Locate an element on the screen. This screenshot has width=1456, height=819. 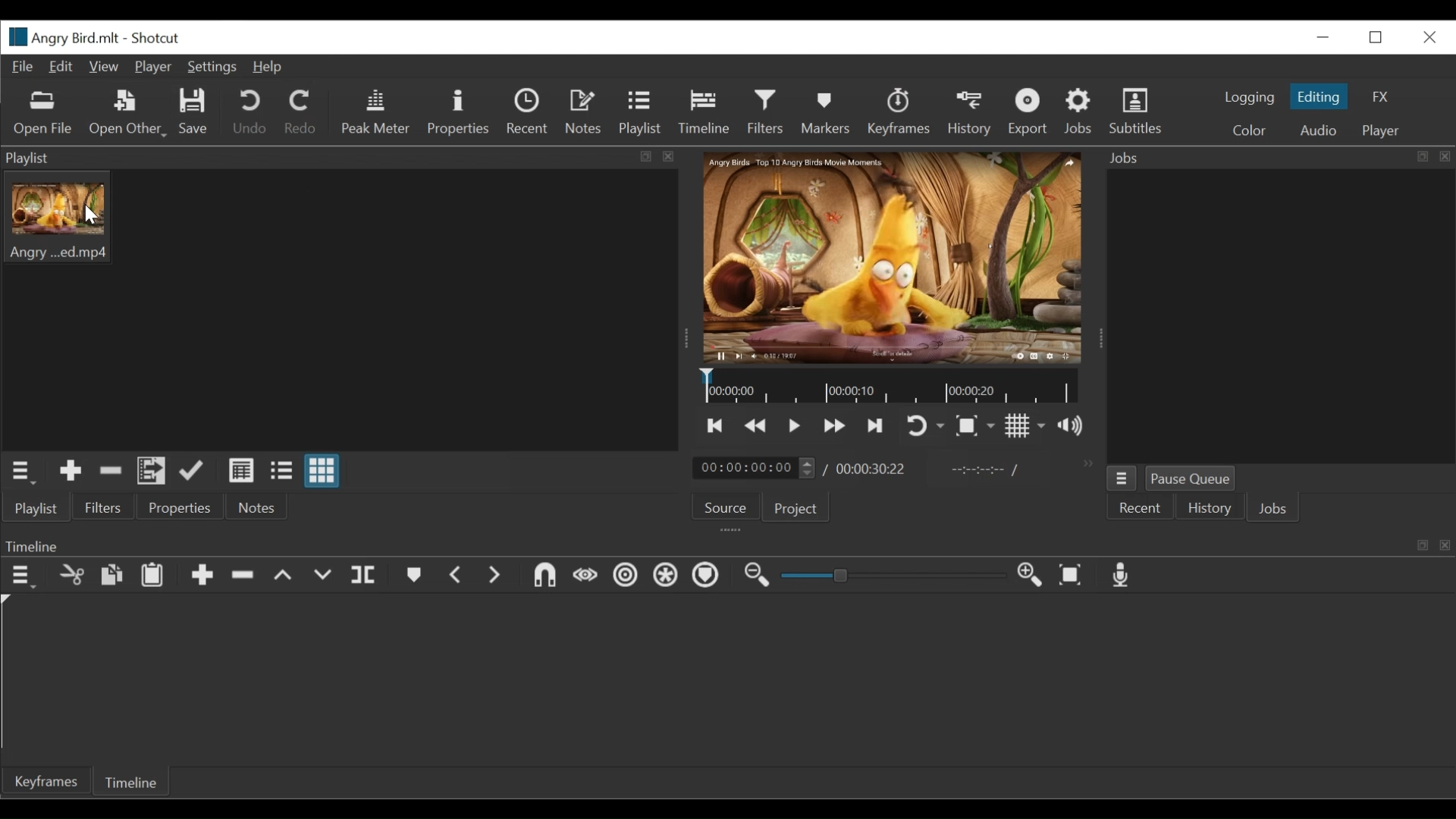
Show volume control is located at coordinates (1068, 424).